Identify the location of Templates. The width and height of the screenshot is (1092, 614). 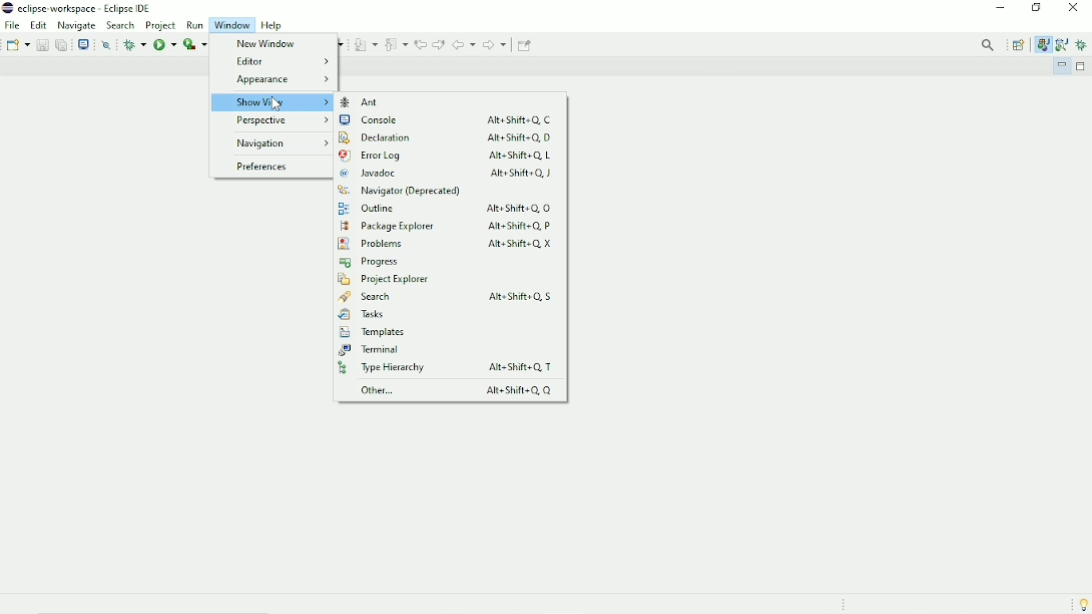
(372, 333).